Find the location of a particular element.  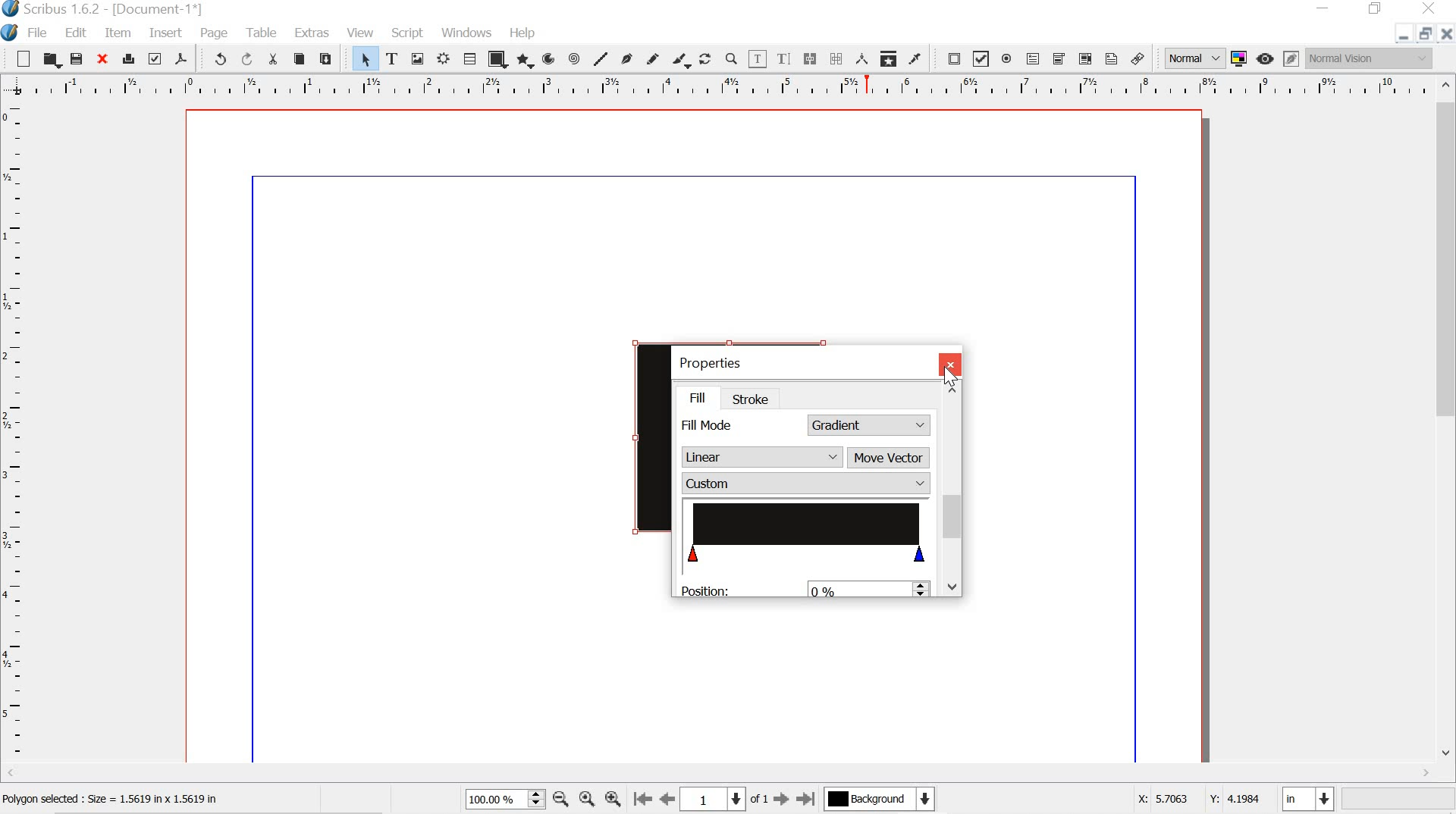

redo is located at coordinates (249, 59).